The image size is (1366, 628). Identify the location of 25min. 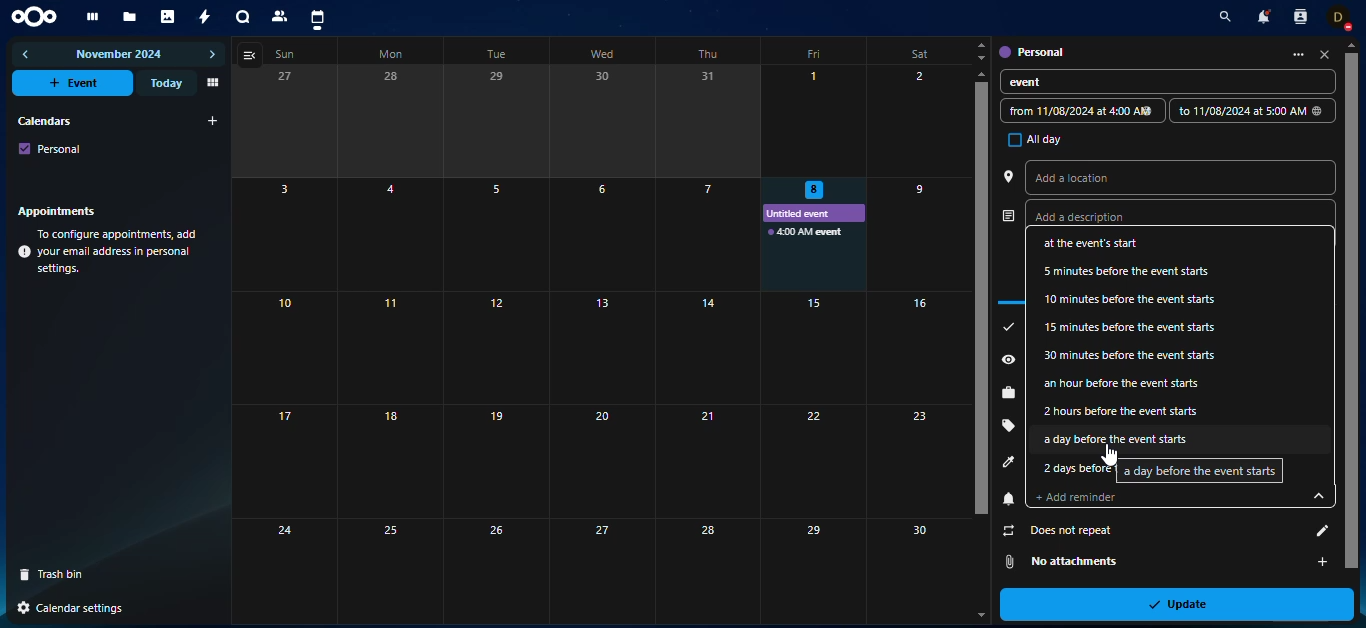
(1130, 328).